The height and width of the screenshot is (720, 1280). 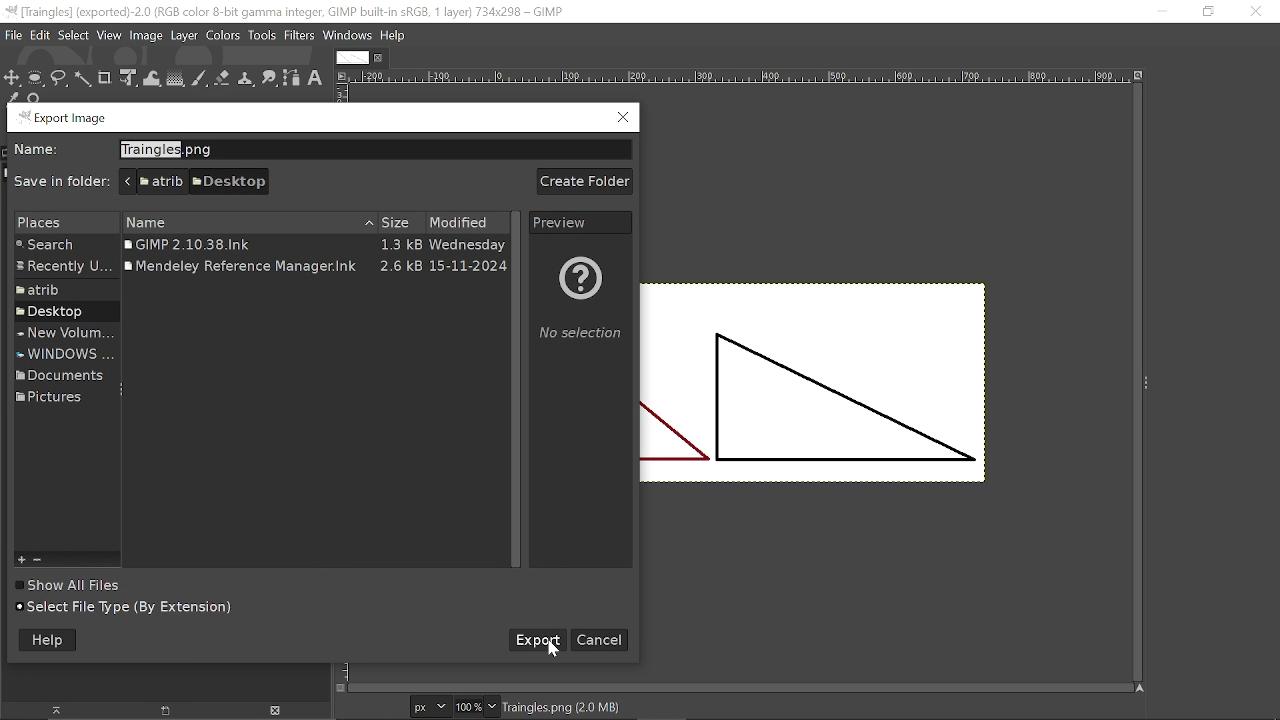 I want to click on Size of te file, so click(x=401, y=223).